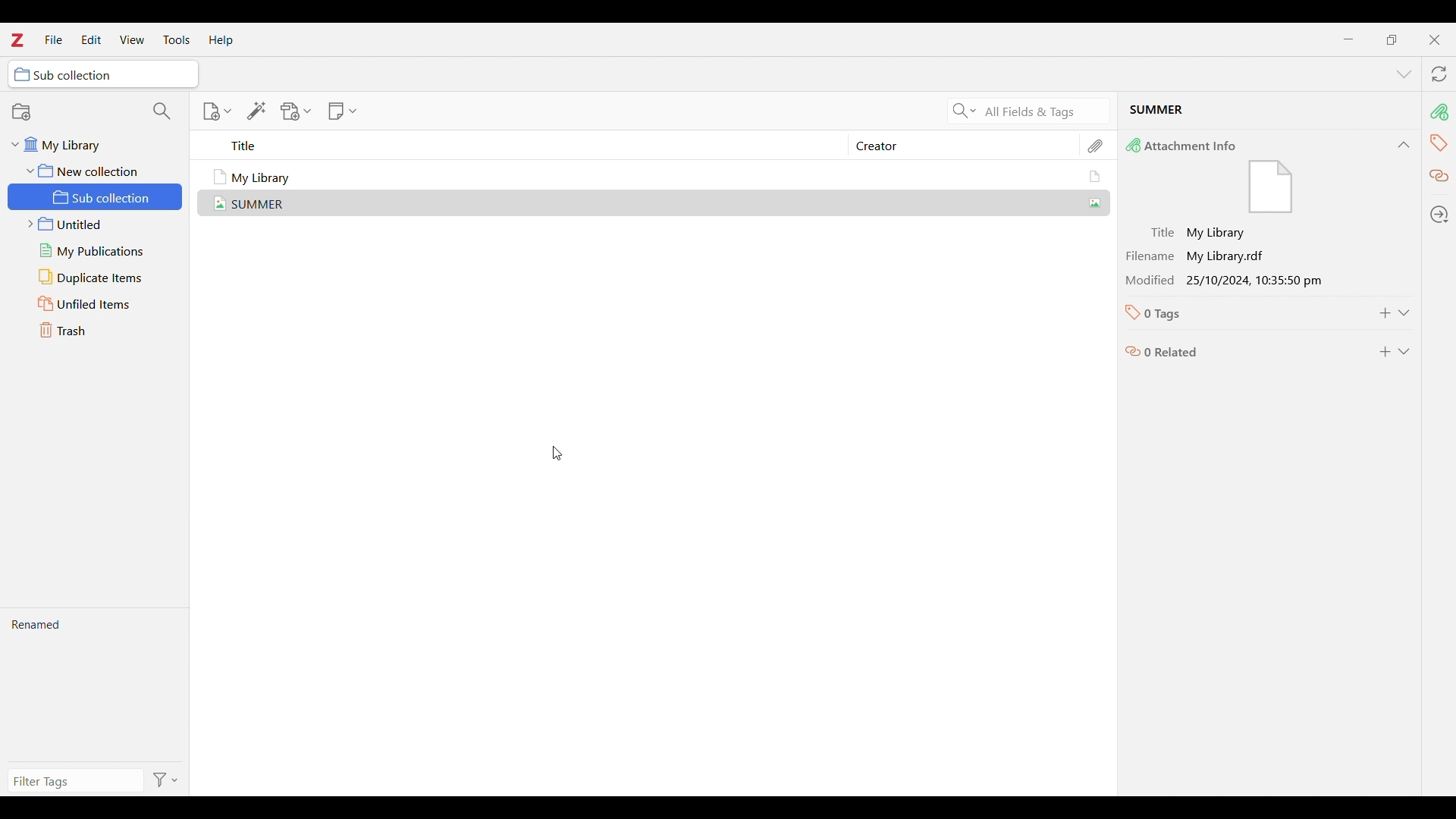 The width and height of the screenshot is (1456, 819). Describe the element at coordinates (1439, 144) in the screenshot. I see `Tags` at that location.